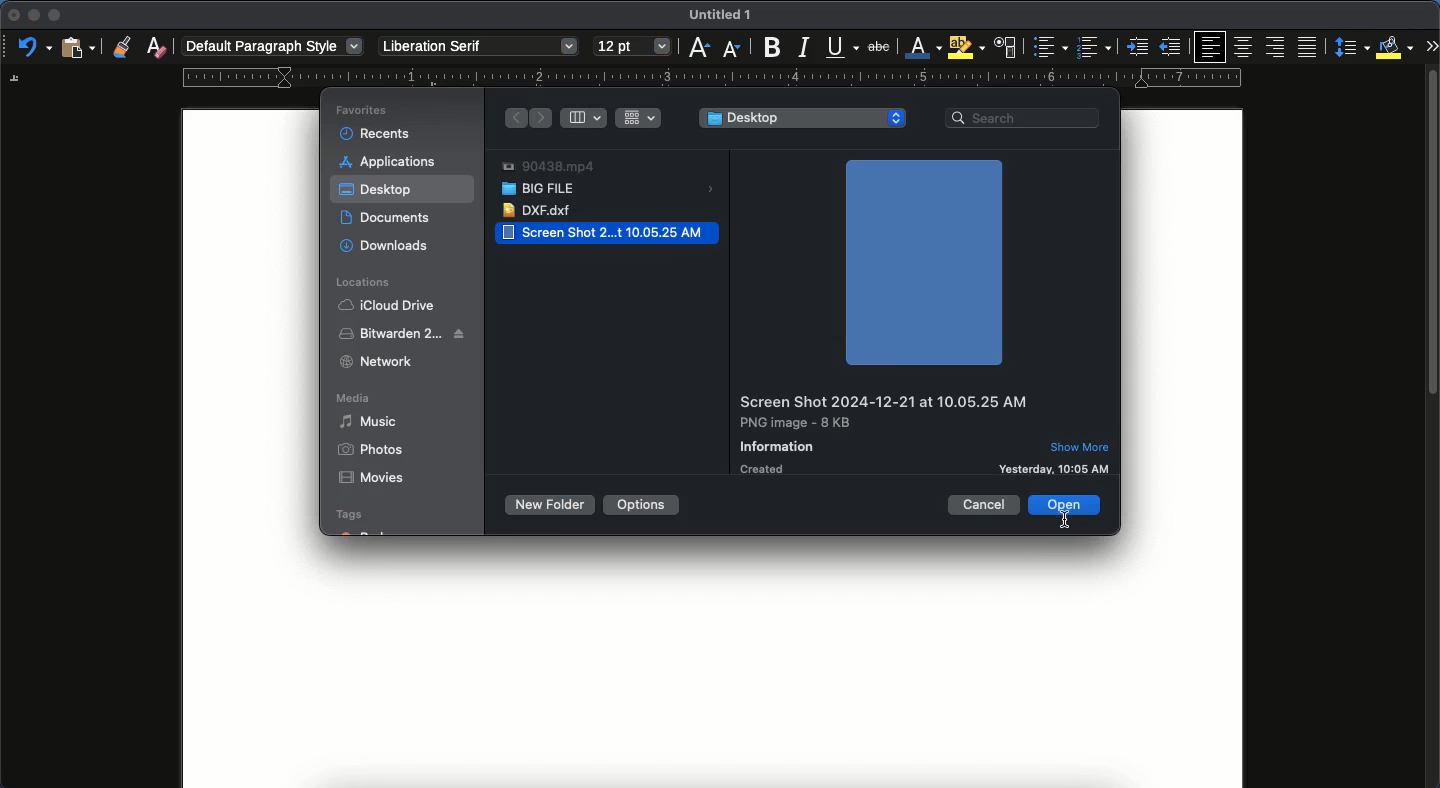 The height and width of the screenshot is (788, 1440). Describe the element at coordinates (922, 263) in the screenshot. I see `image` at that location.